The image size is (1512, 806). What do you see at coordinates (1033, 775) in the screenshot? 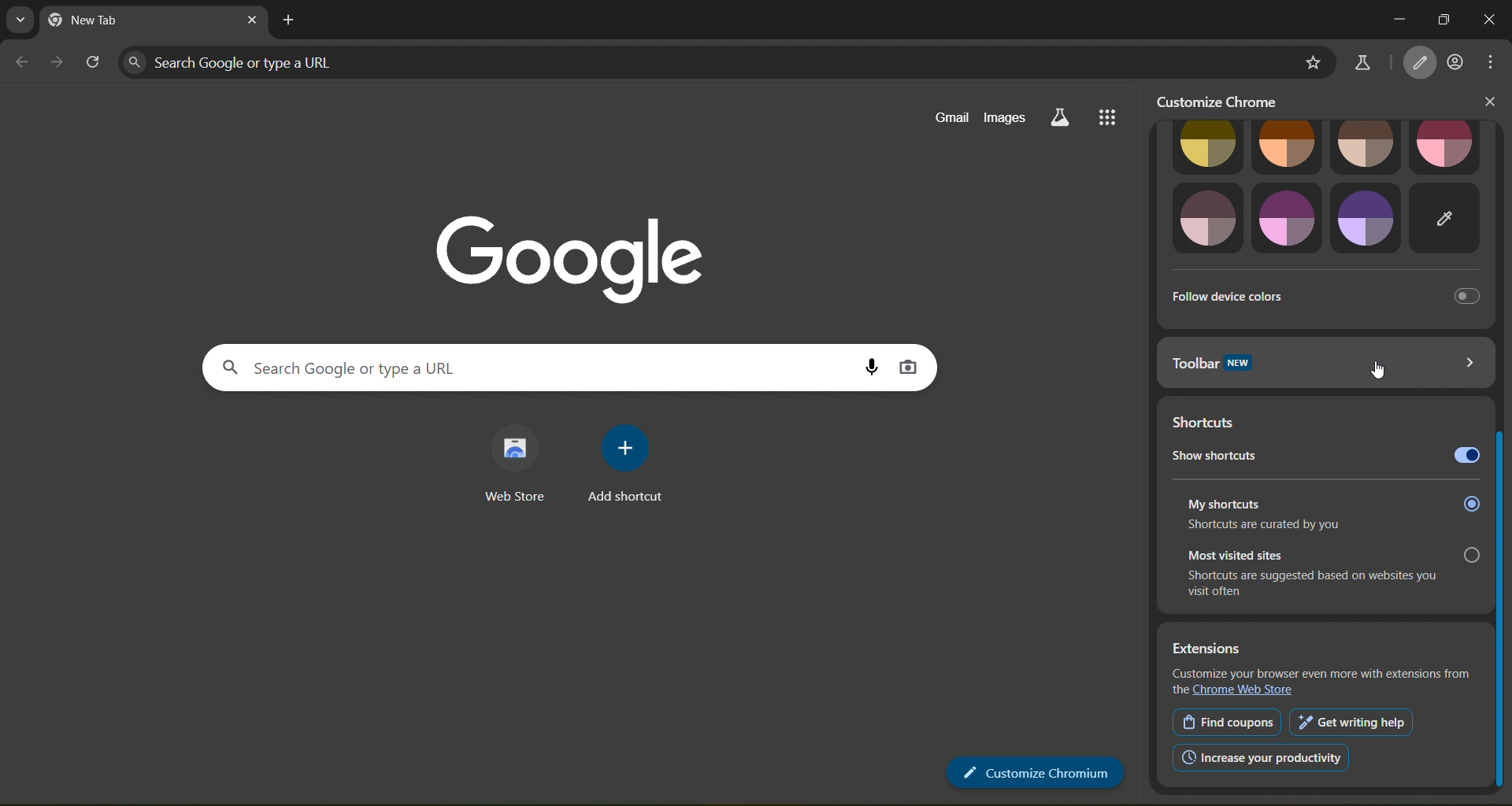
I see `customize chrome` at bounding box center [1033, 775].